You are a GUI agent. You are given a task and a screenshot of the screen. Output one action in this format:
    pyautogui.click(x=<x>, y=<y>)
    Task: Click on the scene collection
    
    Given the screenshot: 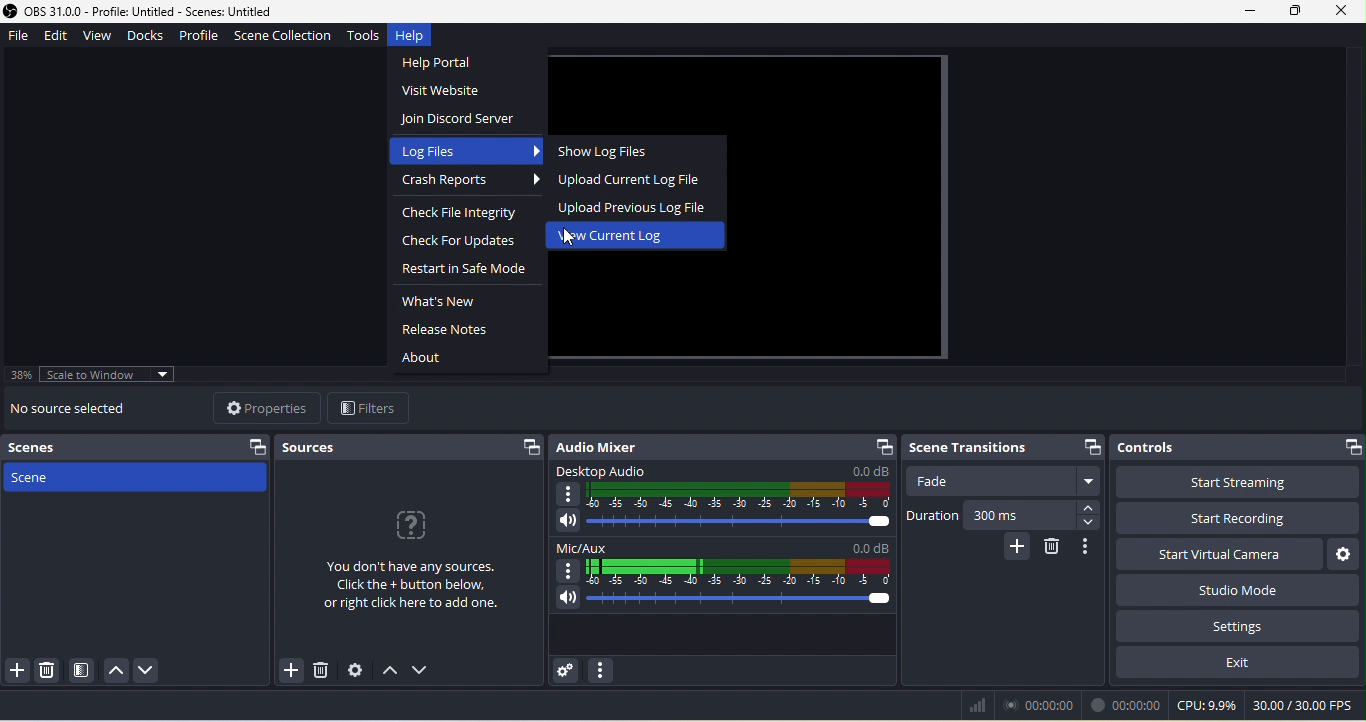 What is the action you would take?
    pyautogui.click(x=283, y=38)
    